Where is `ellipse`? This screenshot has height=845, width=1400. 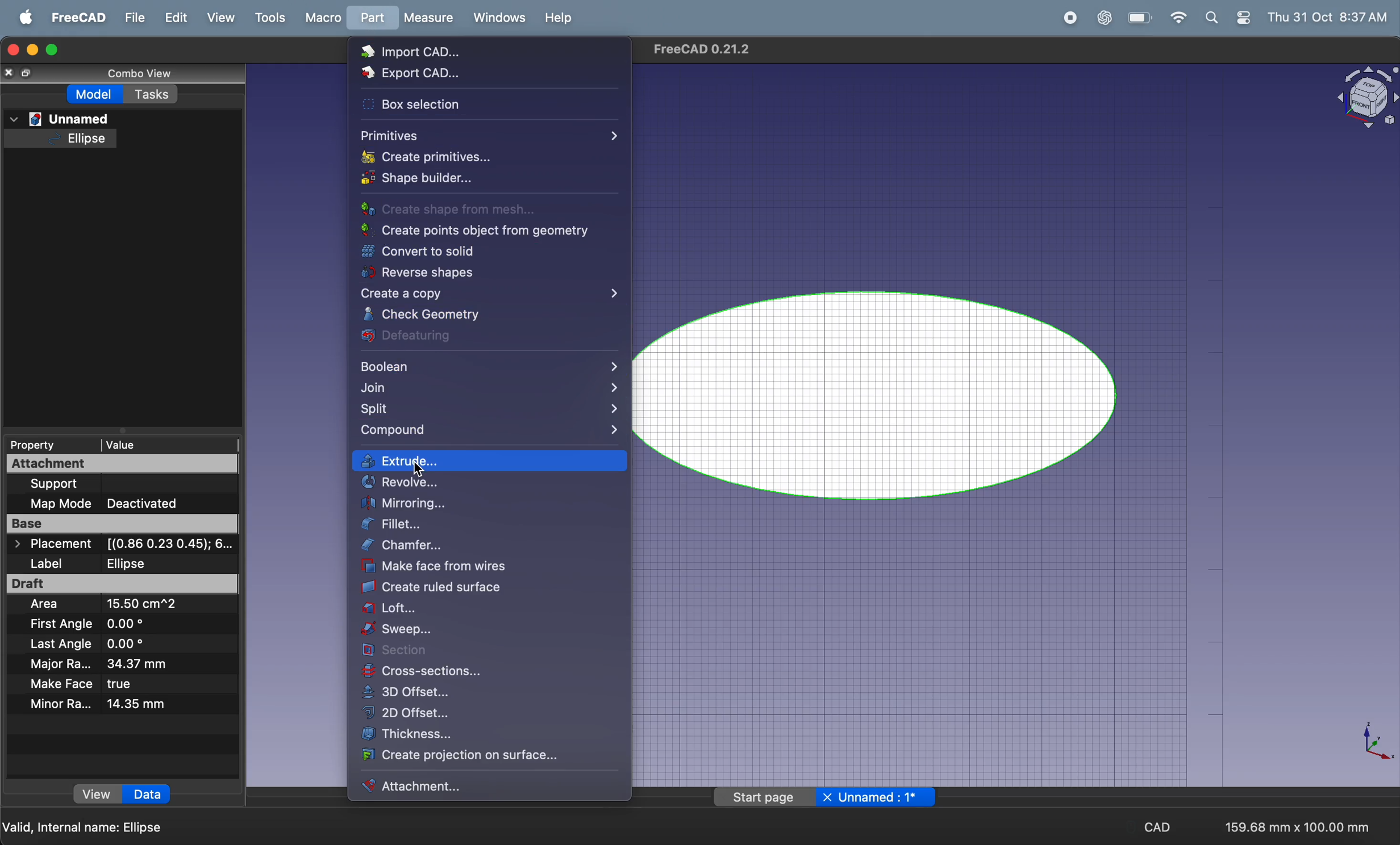
ellipse is located at coordinates (902, 392).